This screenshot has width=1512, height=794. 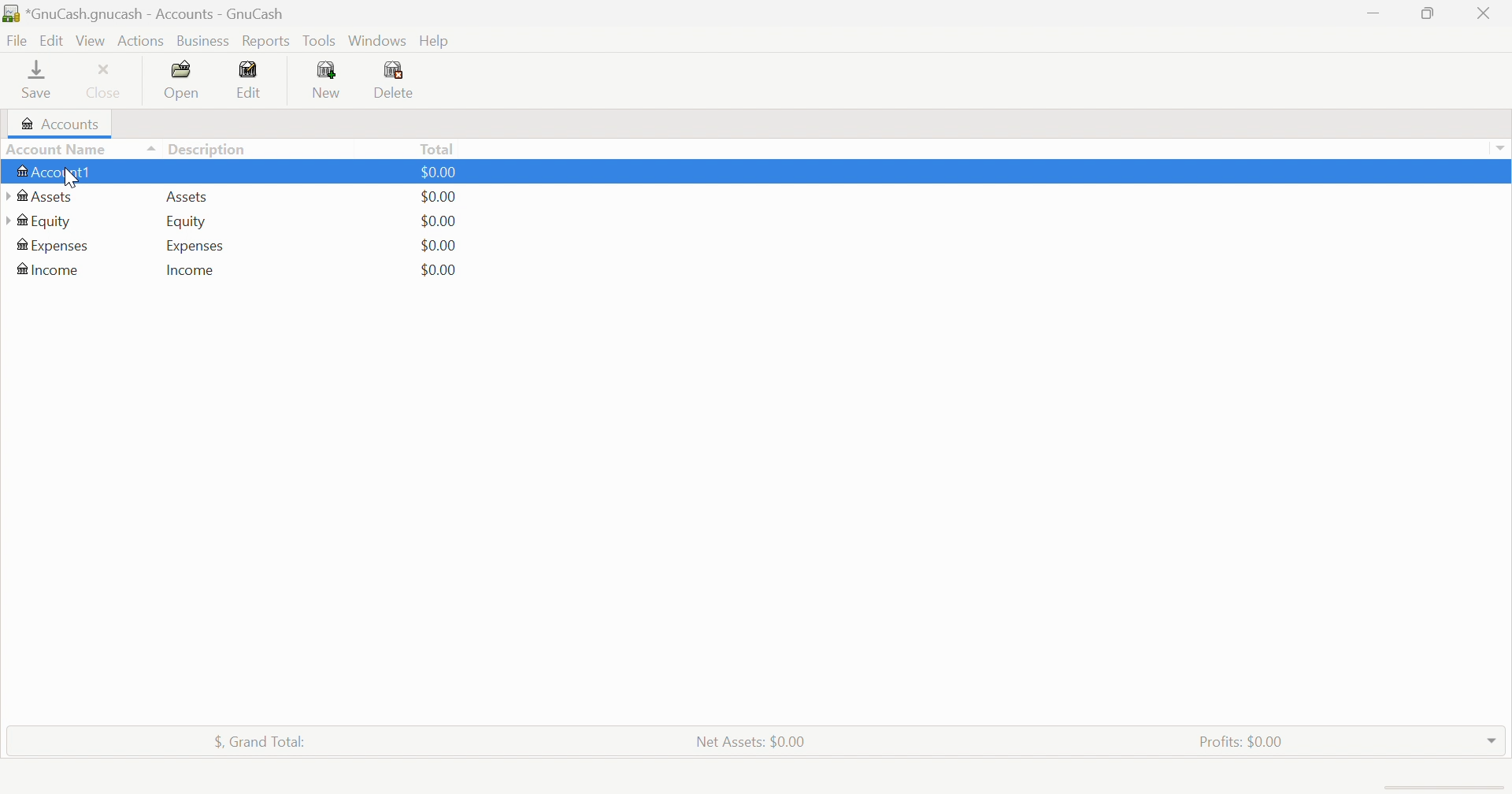 I want to click on $0.00, so click(x=438, y=220).